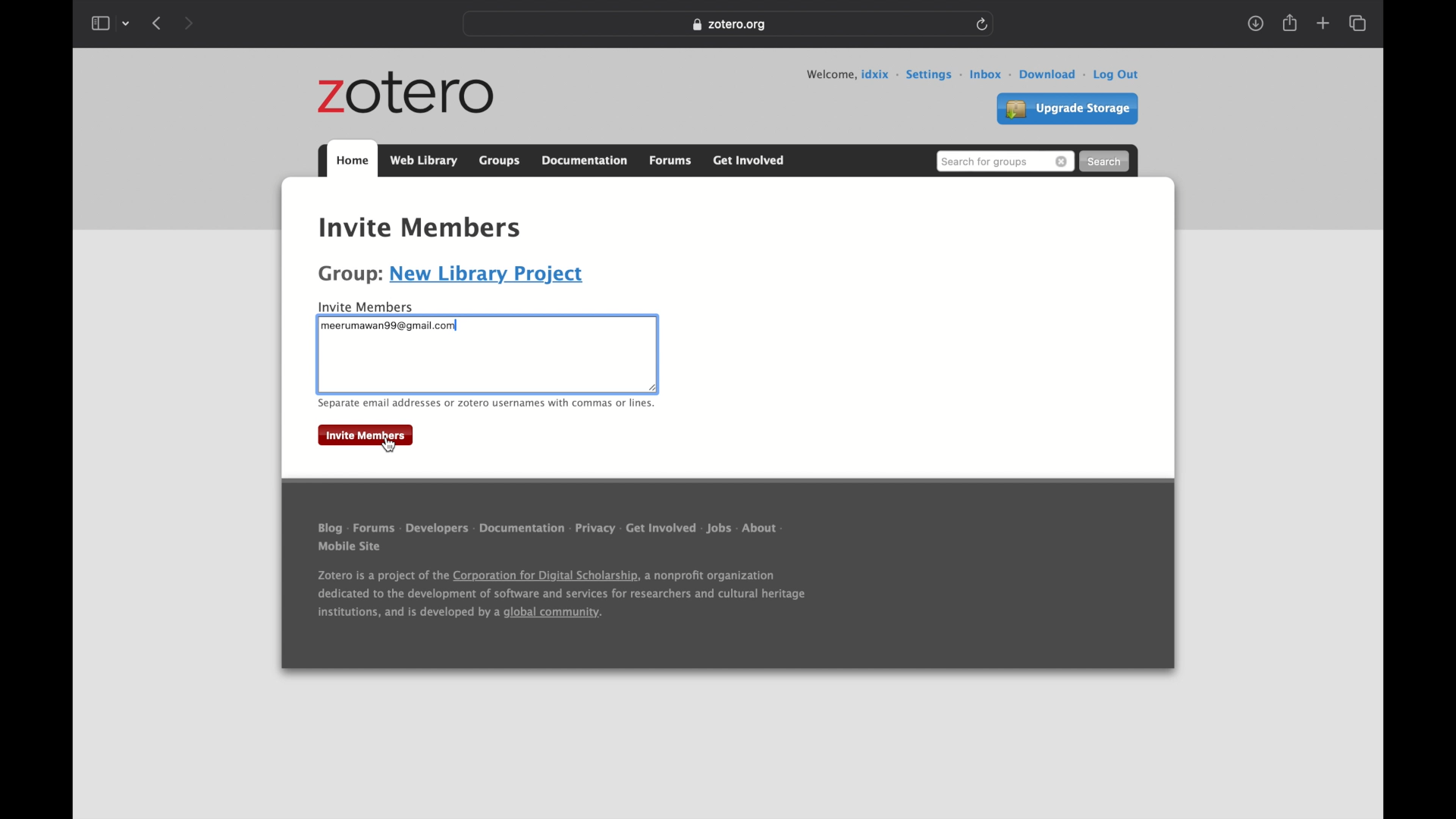 This screenshot has width=1456, height=819. What do you see at coordinates (488, 274) in the screenshot?
I see `new library project` at bounding box center [488, 274].